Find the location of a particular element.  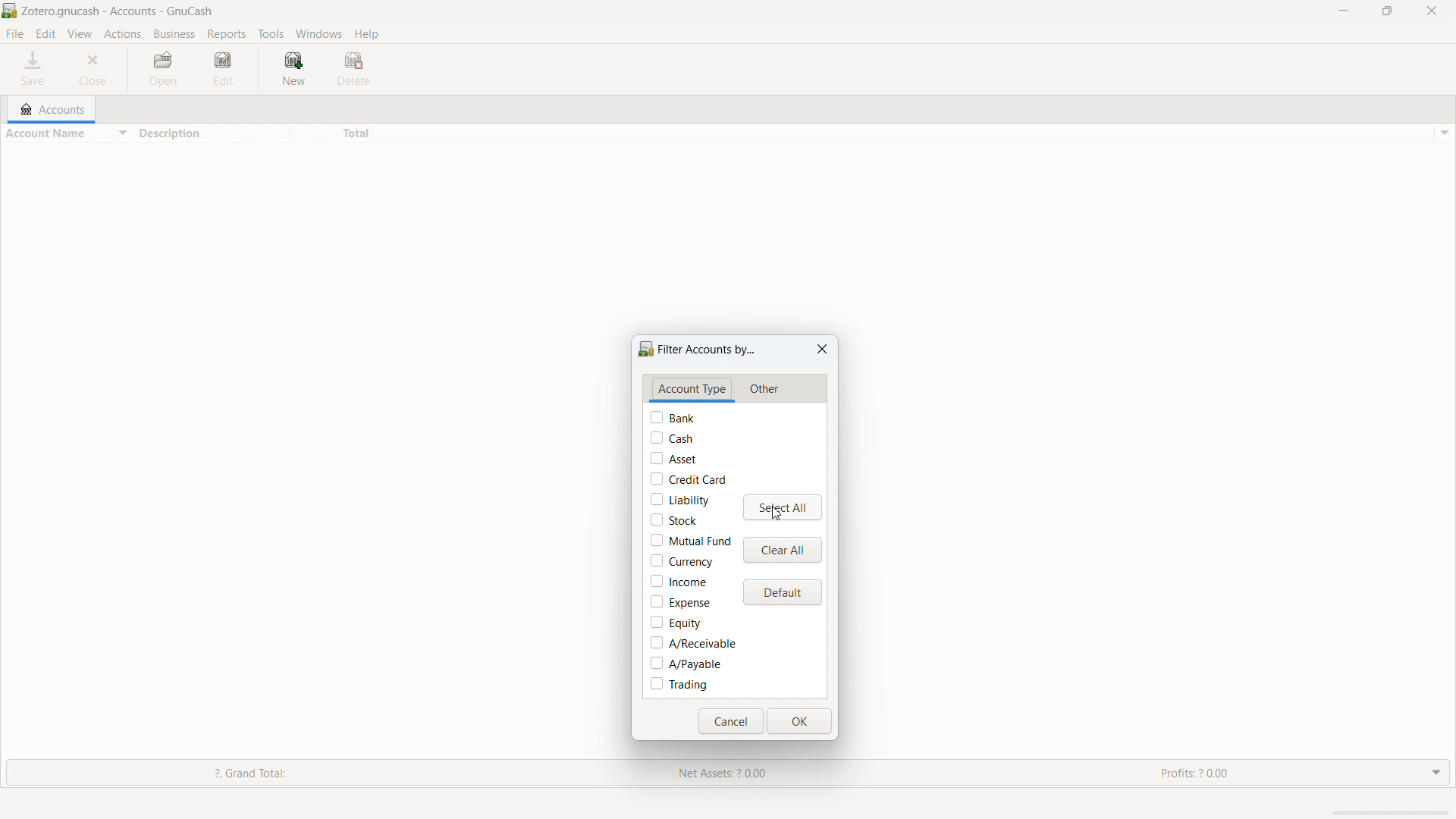

windows is located at coordinates (319, 34).